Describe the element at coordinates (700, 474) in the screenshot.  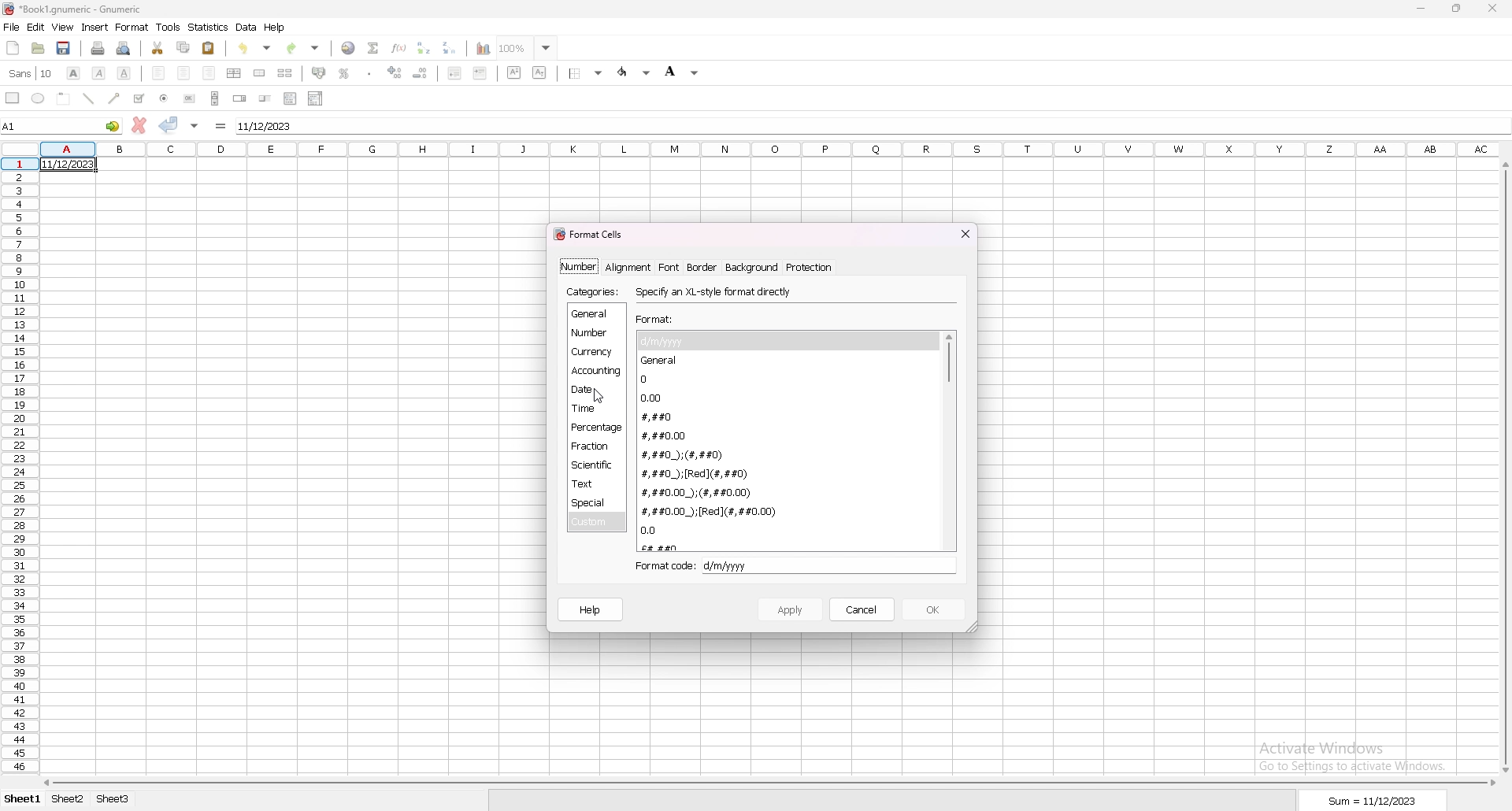
I see `#,##0_);[Red](#,##0)` at that location.